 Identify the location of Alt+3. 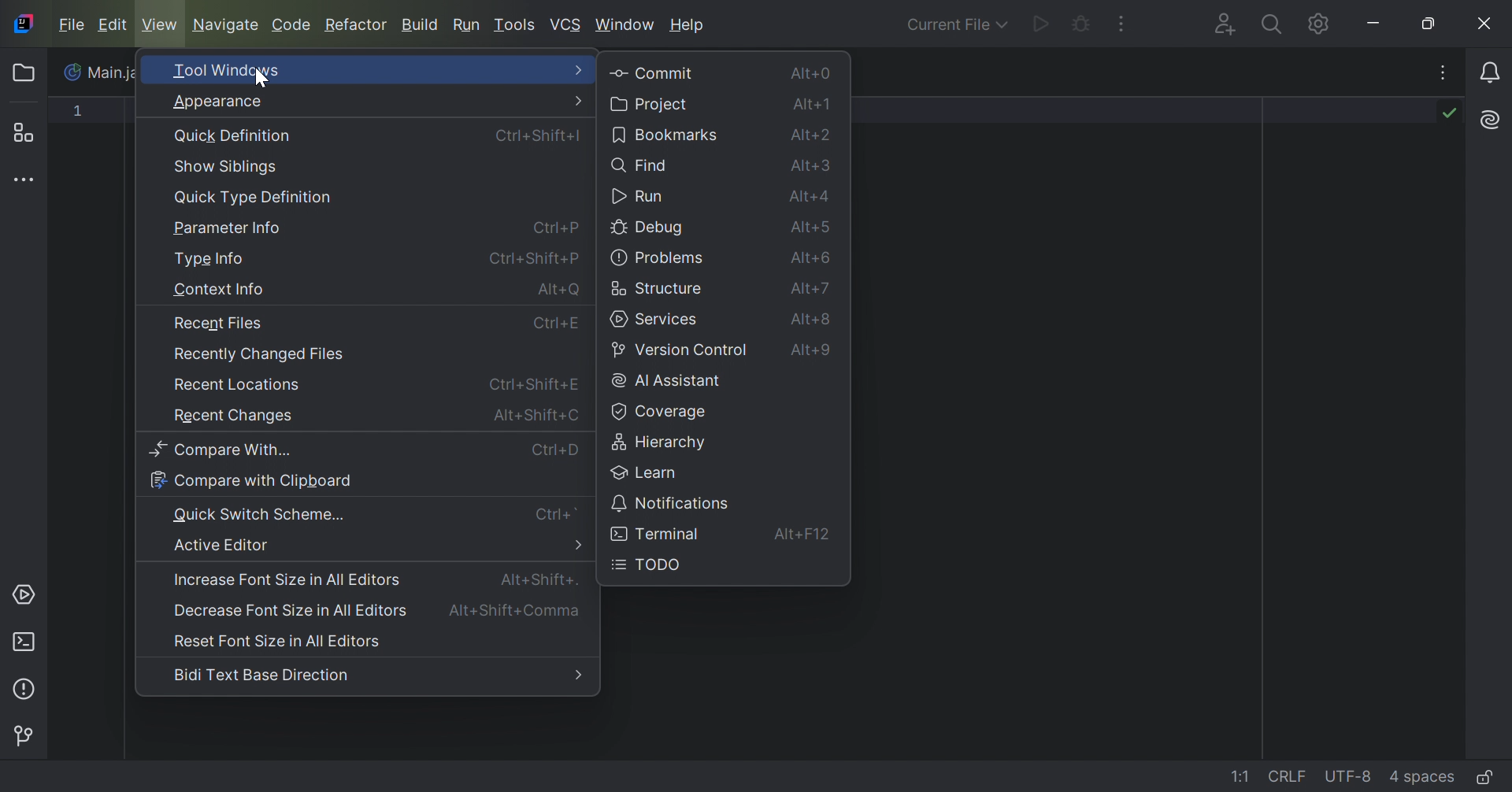
(813, 167).